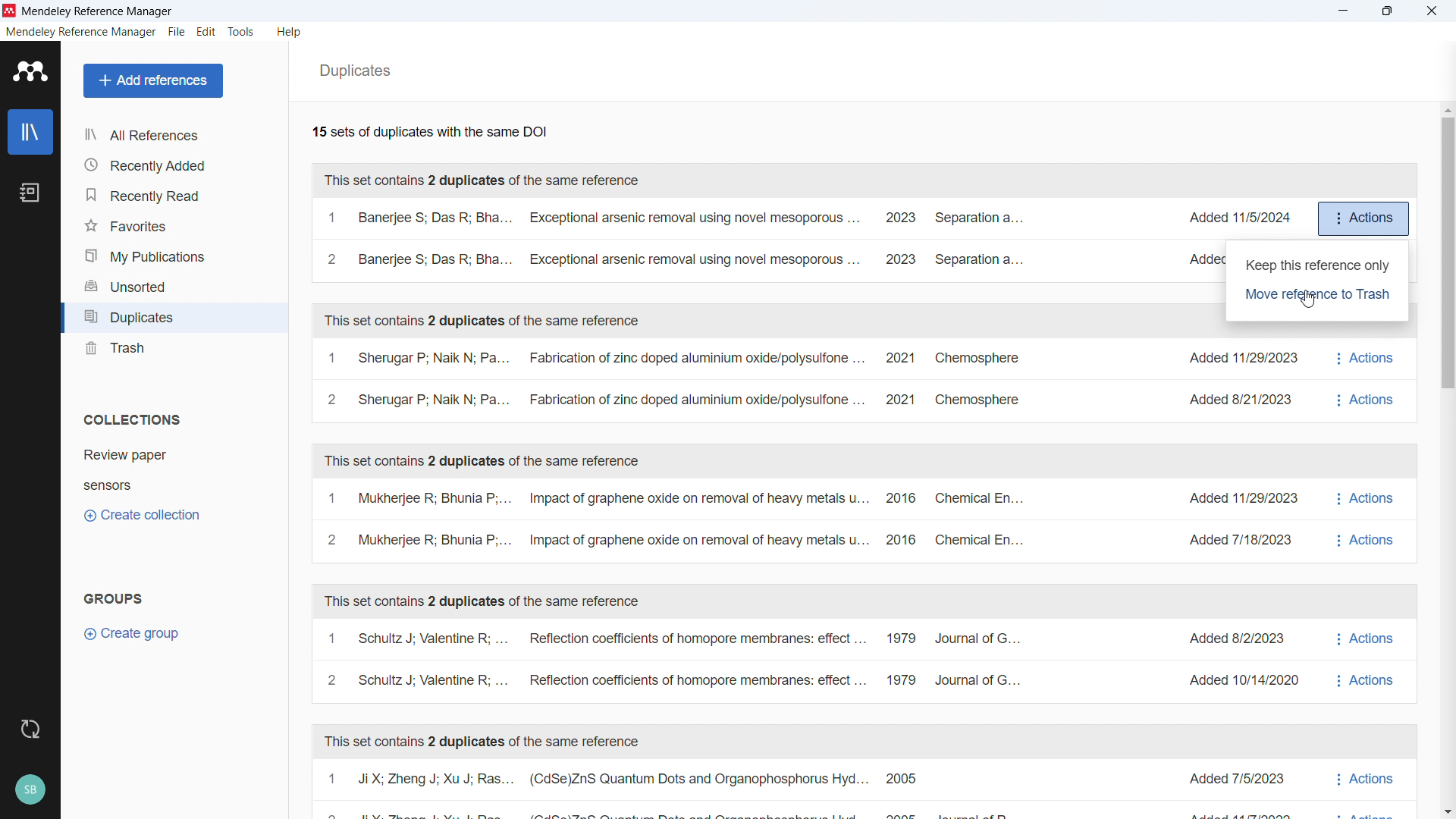 The width and height of the screenshot is (1456, 819). Describe the element at coordinates (672, 380) in the screenshot. I see `Set of duplicates ` at that location.